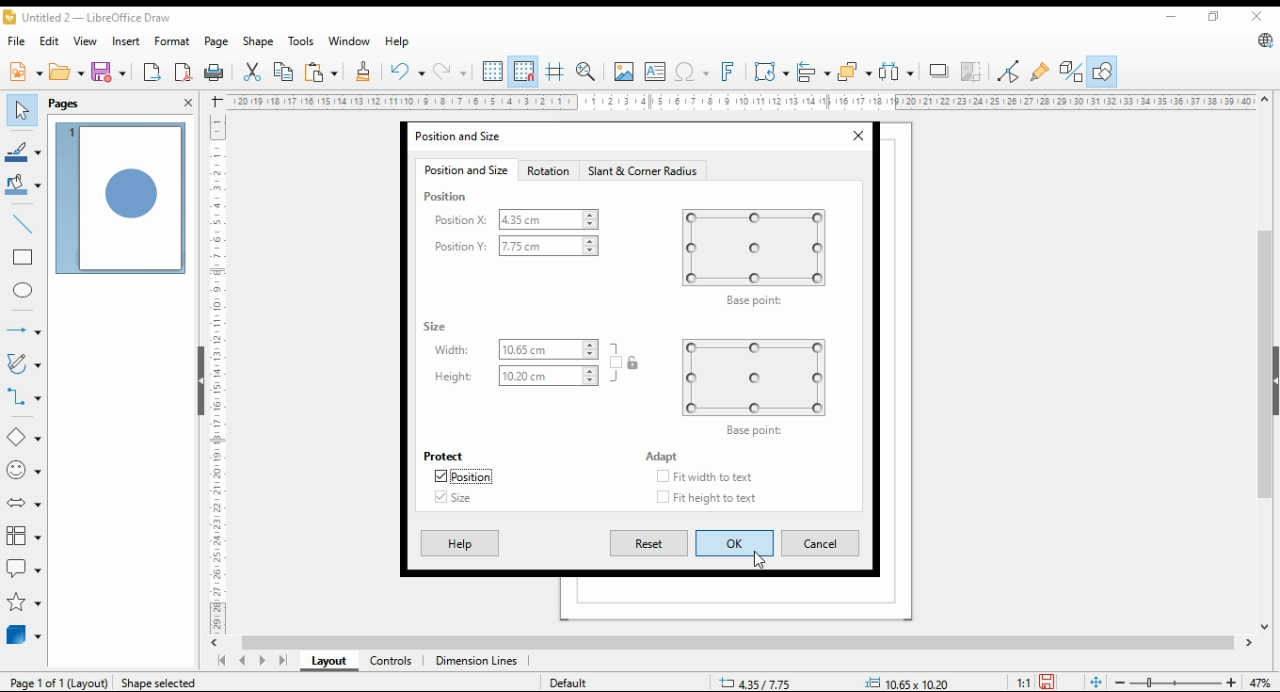 This screenshot has height=692, width=1280. What do you see at coordinates (654, 72) in the screenshot?
I see `insert text box` at bounding box center [654, 72].